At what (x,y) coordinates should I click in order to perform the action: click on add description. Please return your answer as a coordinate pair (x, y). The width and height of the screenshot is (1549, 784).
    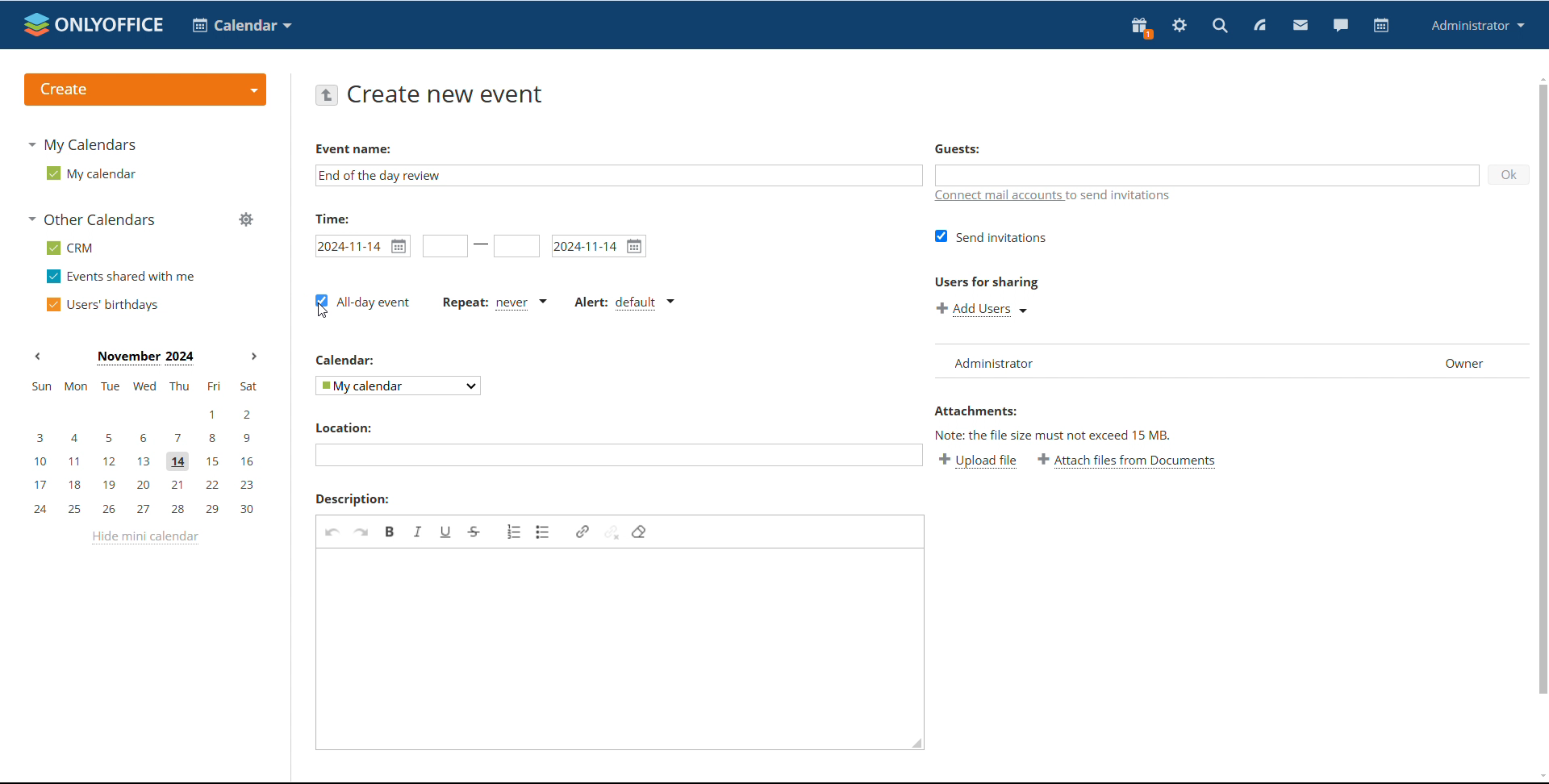
    Looking at the image, I should click on (614, 644).